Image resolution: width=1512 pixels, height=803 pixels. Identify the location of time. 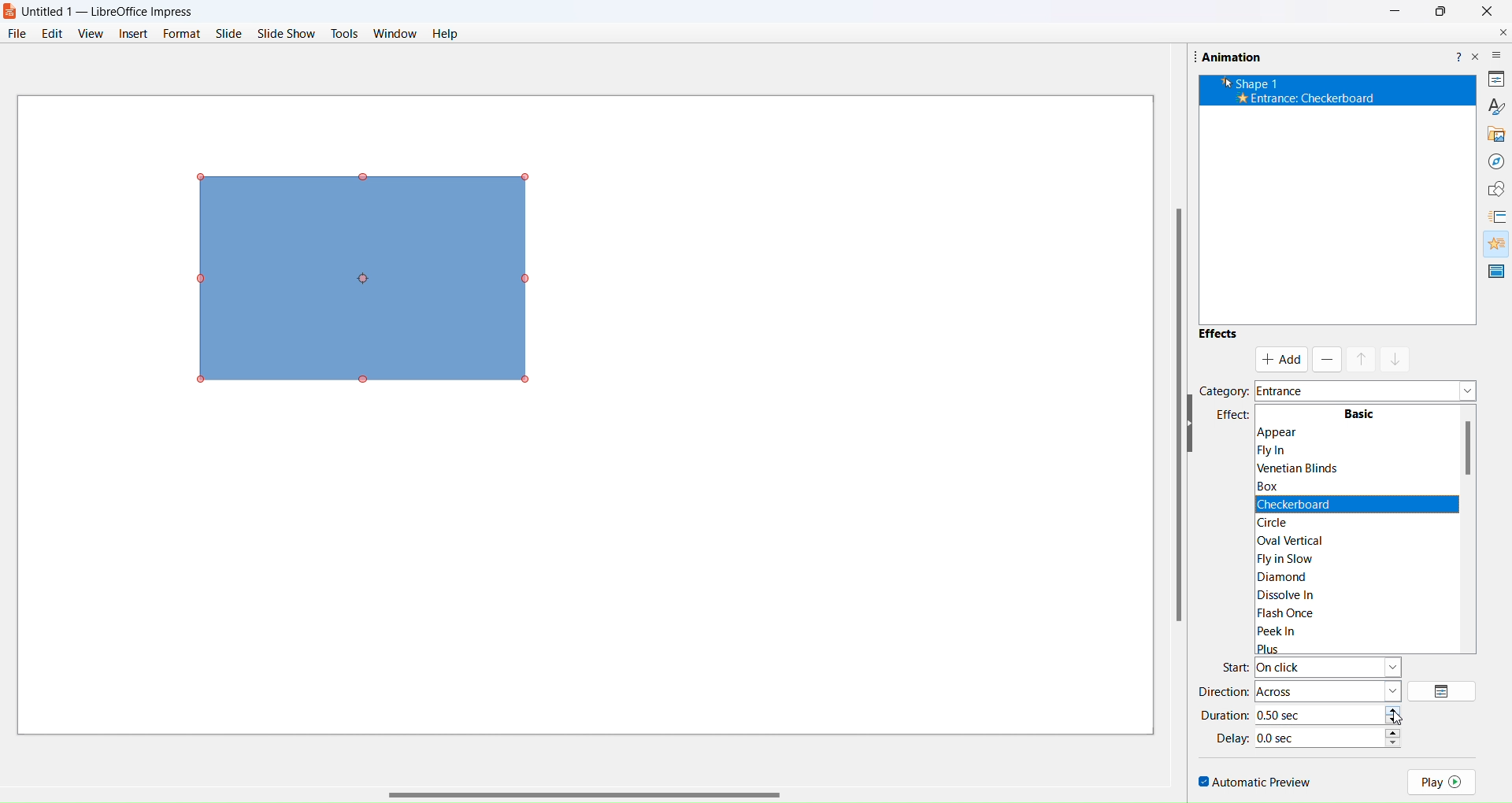
(1321, 713).